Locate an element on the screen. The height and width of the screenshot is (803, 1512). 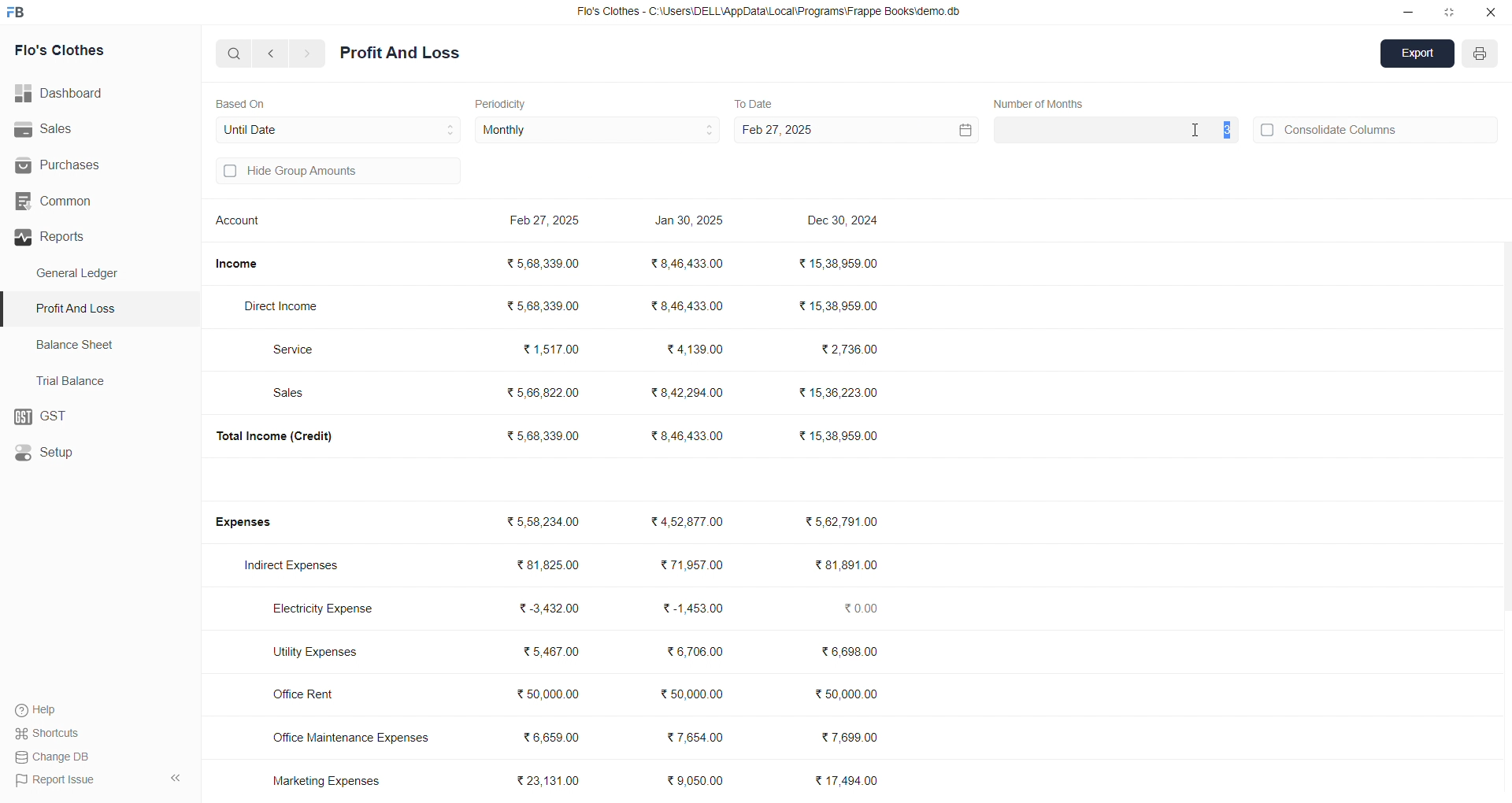
PRINT is located at coordinates (1480, 56).